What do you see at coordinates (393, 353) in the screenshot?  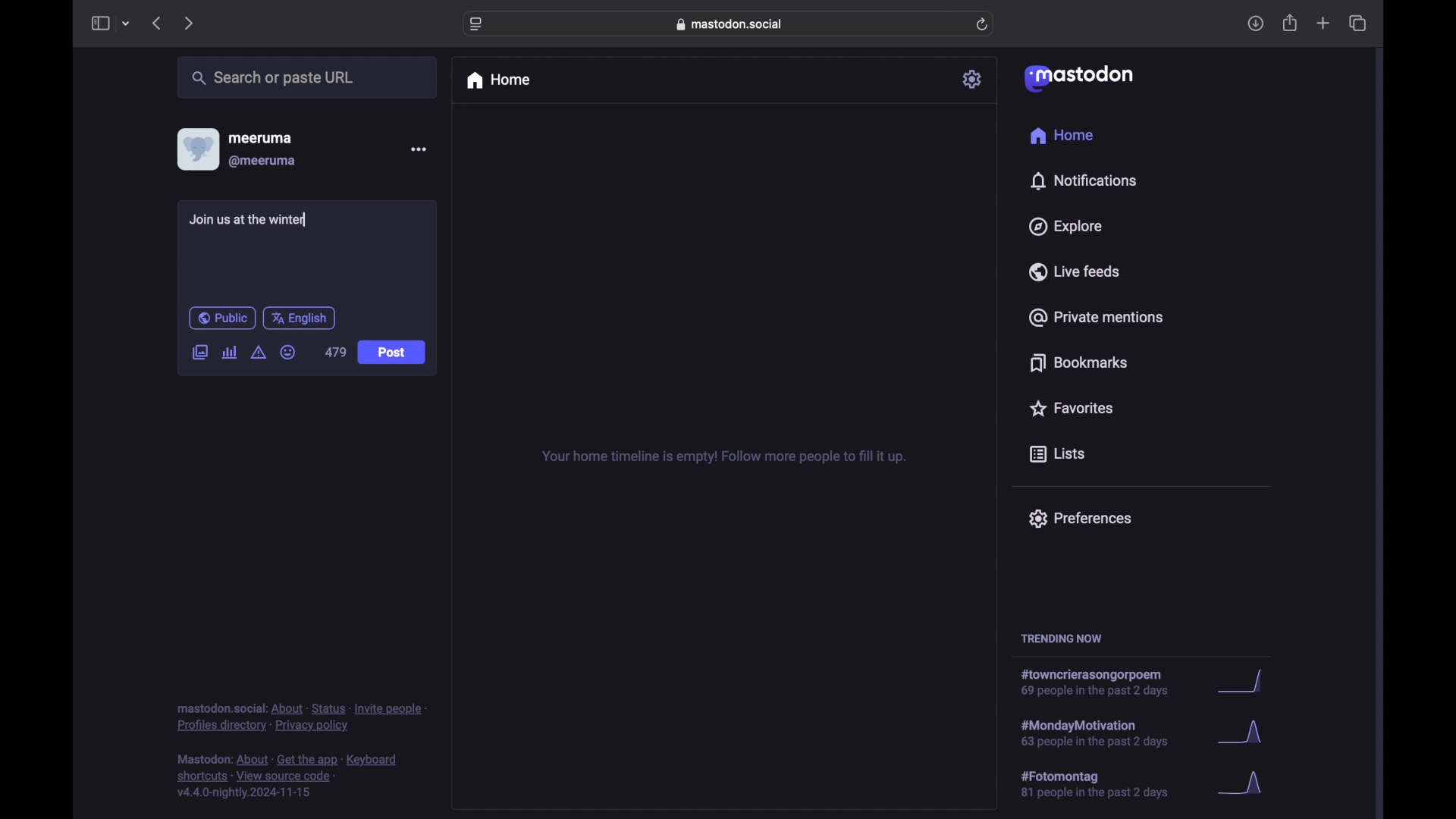 I see `Post` at bounding box center [393, 353].